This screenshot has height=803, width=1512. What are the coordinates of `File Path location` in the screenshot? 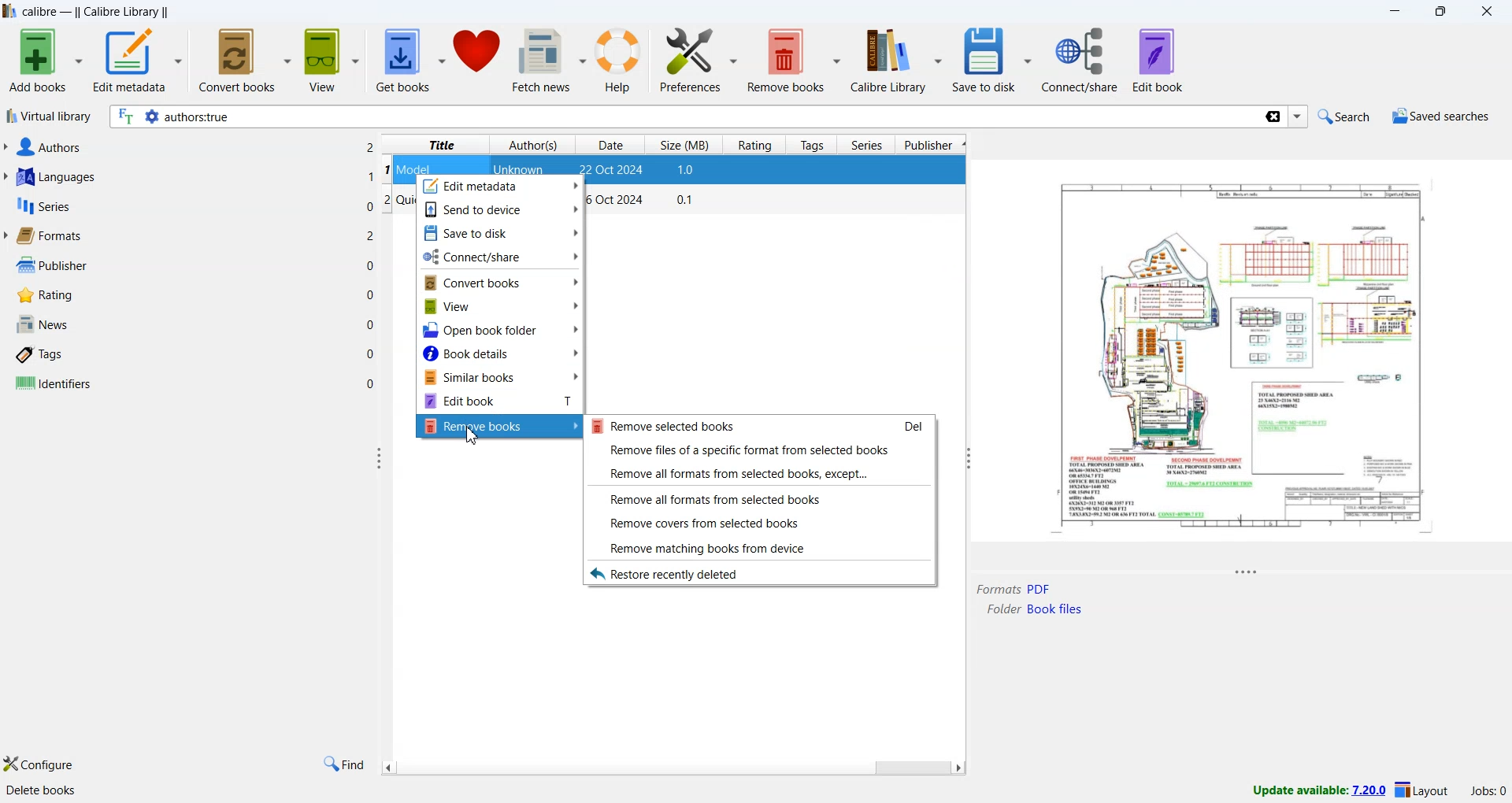 It's located at (1034, 609).